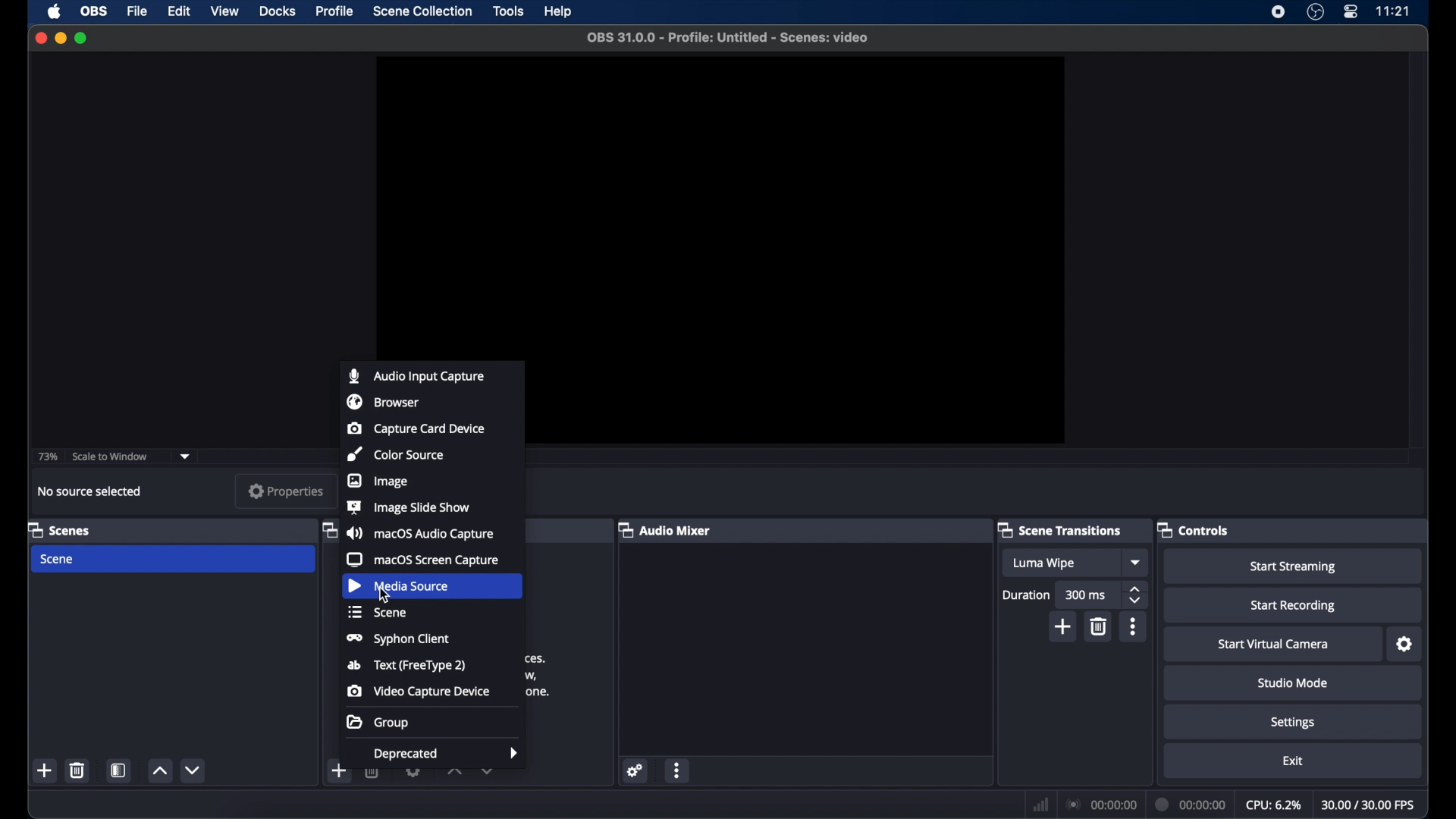 The image size is (1456, 819). Describe the element at coordinates (185, 457) in the screenshot. I see `dropdown` at that location.